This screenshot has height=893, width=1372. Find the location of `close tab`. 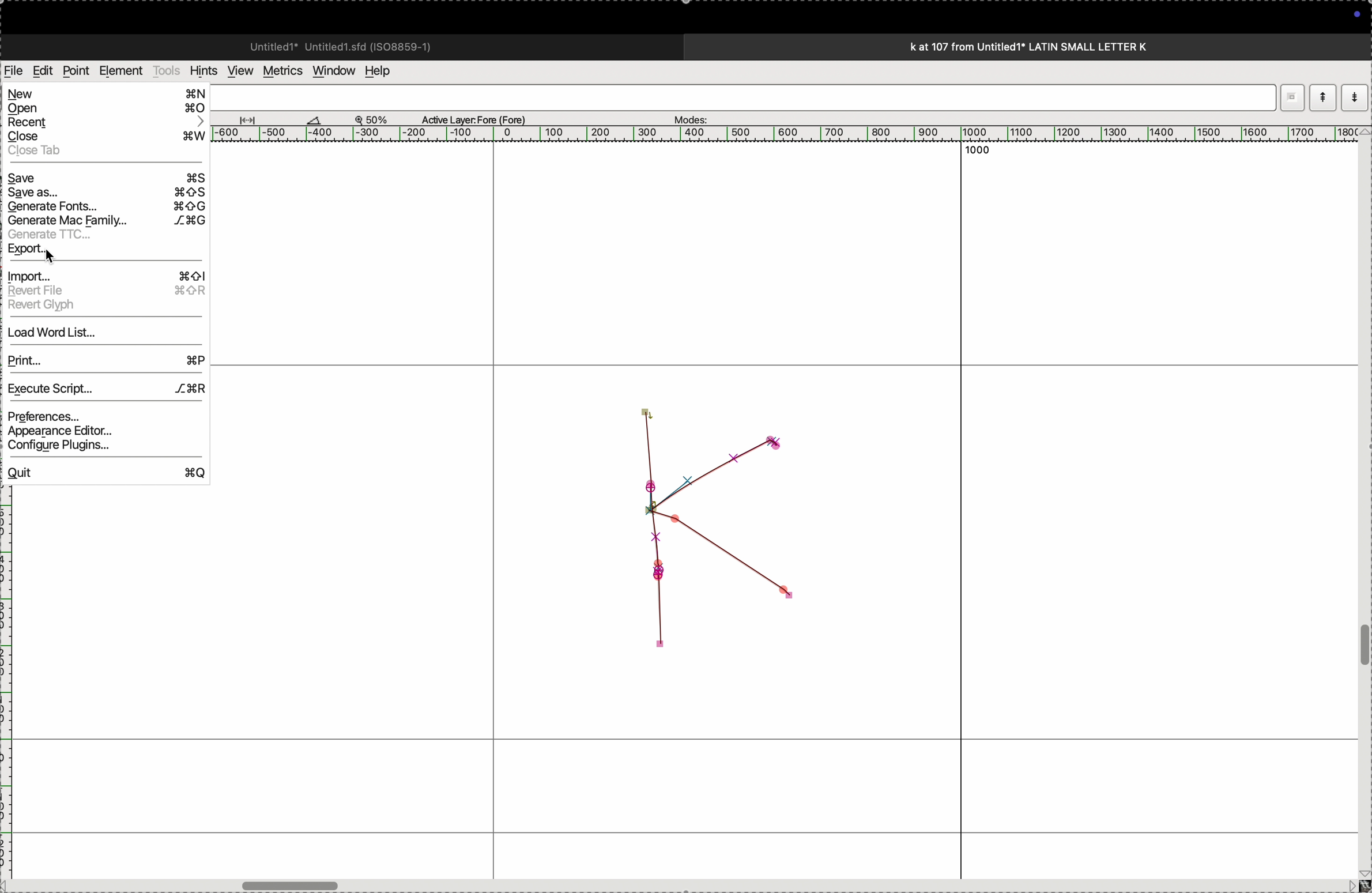

close tab is located at coordinates (103, 151).